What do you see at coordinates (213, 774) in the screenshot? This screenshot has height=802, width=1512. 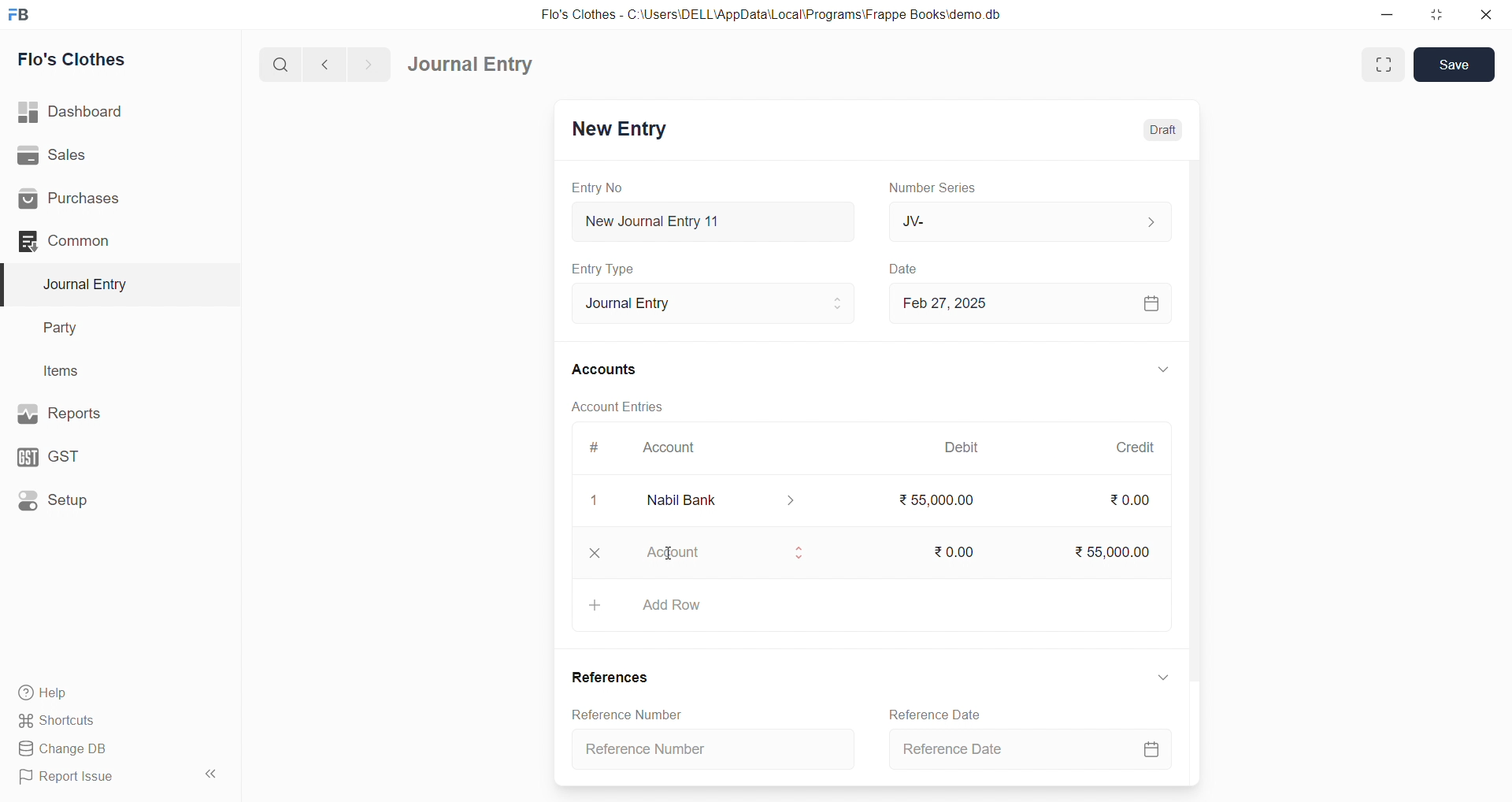 I see `collapse sidebar` at bounding box center [213, 774].